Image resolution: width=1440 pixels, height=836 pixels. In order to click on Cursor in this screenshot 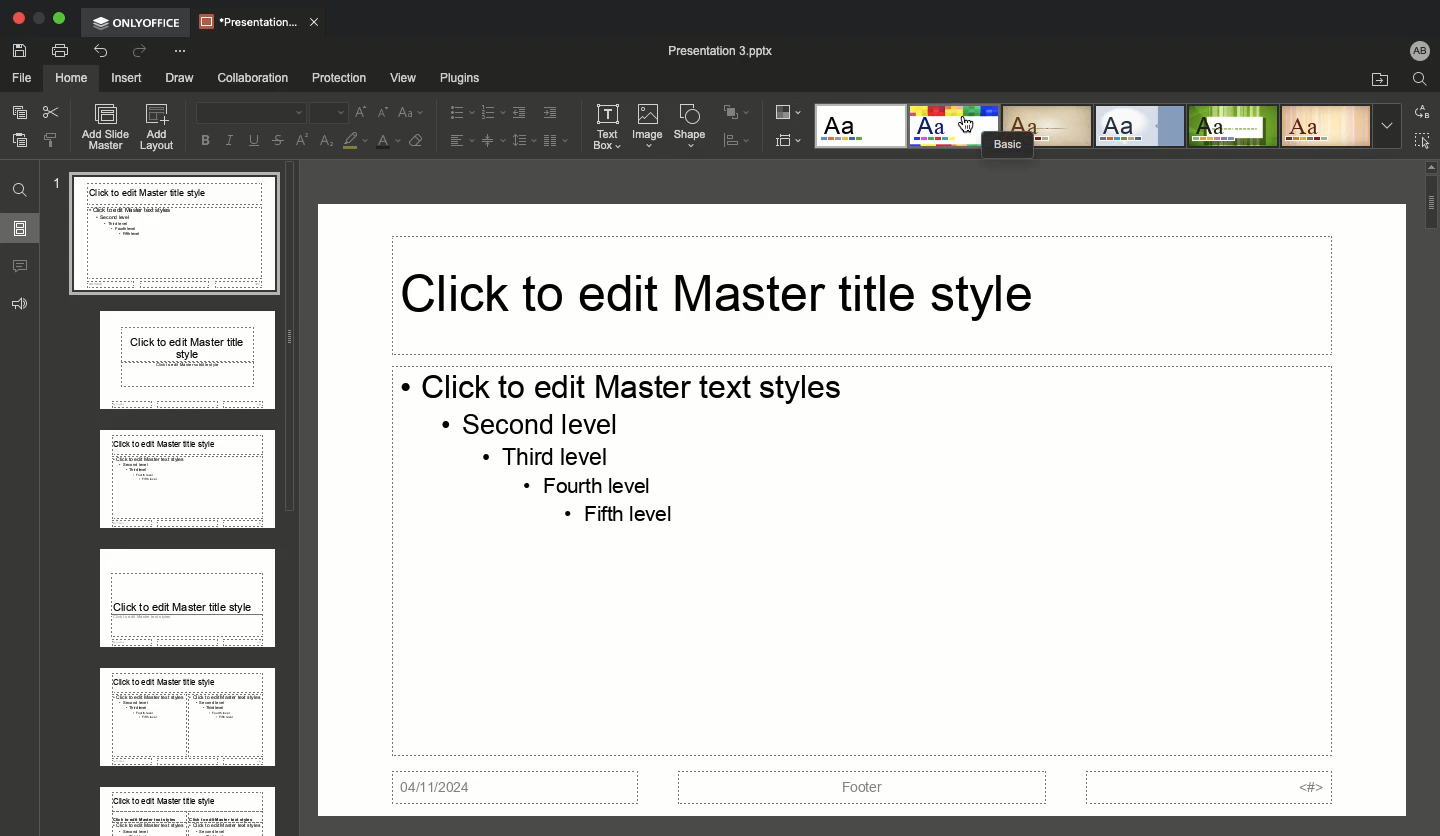, I will do `click(951, 124)`.